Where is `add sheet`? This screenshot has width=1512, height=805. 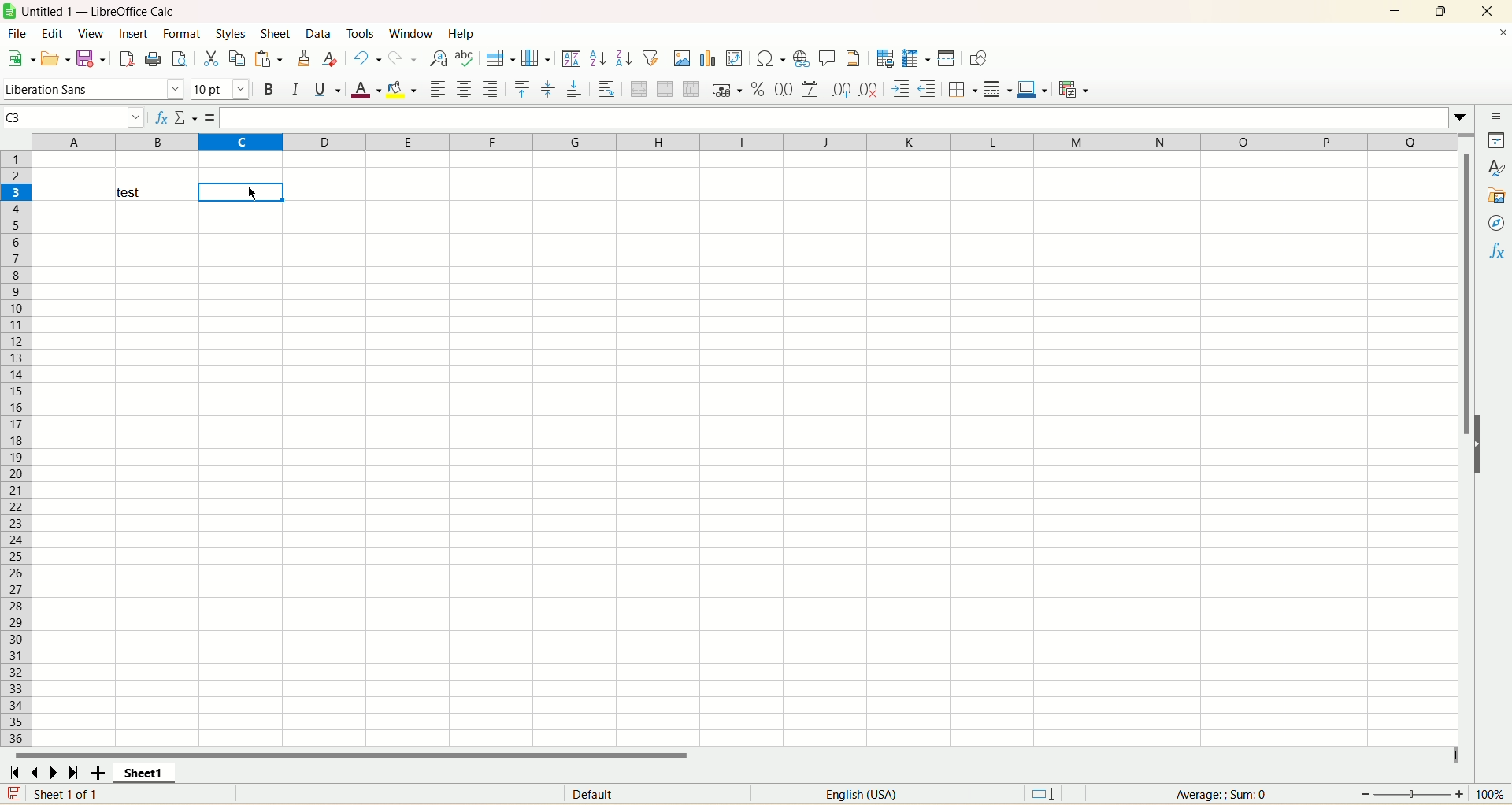
add sheet is located at coordinates (98, 772).